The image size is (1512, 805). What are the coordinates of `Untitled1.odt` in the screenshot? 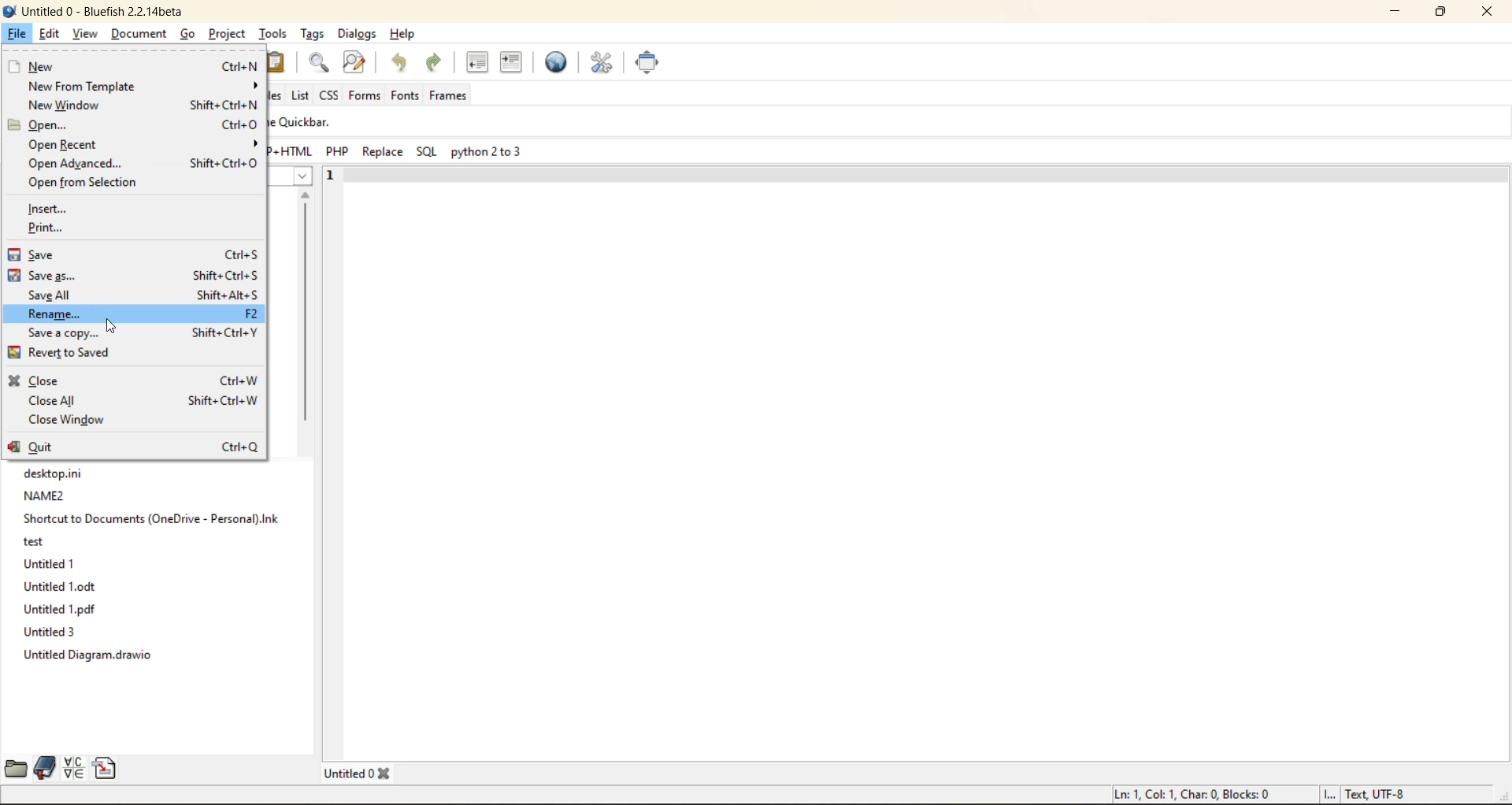 It's located at (59, 587).